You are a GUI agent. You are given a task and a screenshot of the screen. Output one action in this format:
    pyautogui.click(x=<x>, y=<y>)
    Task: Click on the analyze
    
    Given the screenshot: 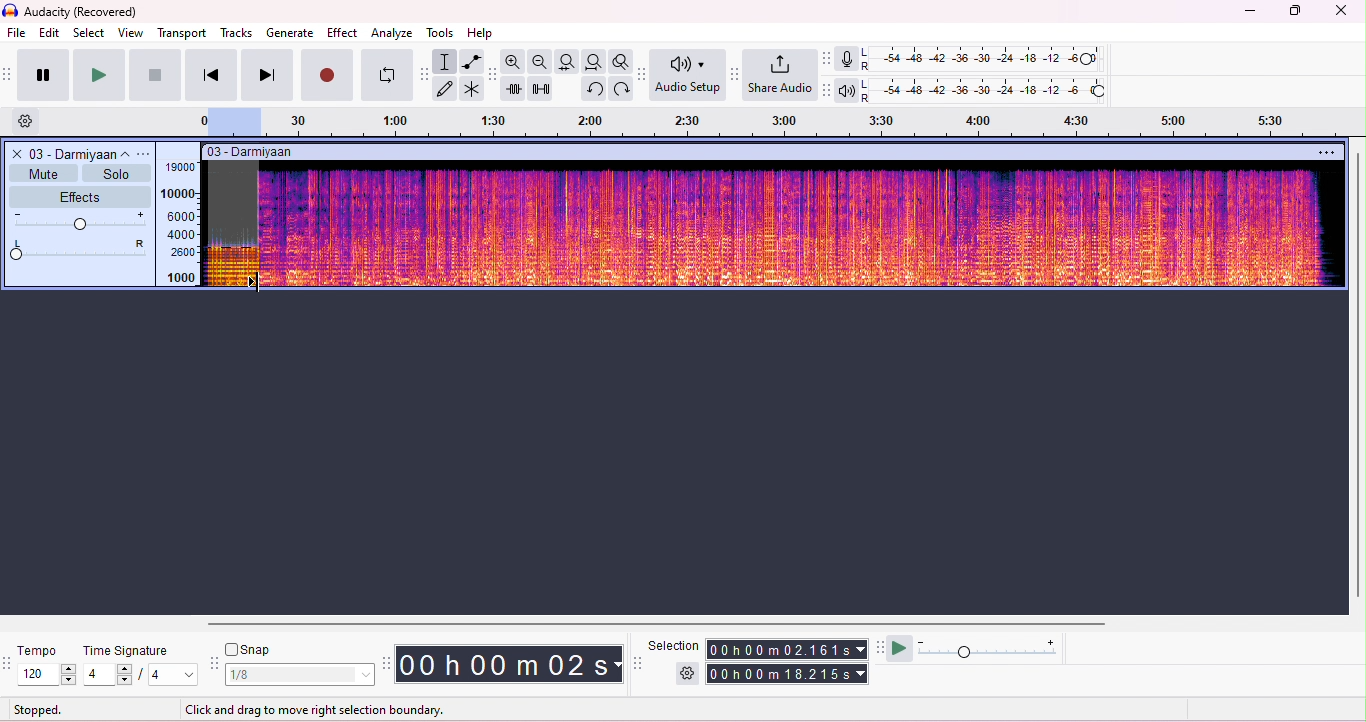 What is the action you would take?
    pyautogui.click(x=391, y=33)
    